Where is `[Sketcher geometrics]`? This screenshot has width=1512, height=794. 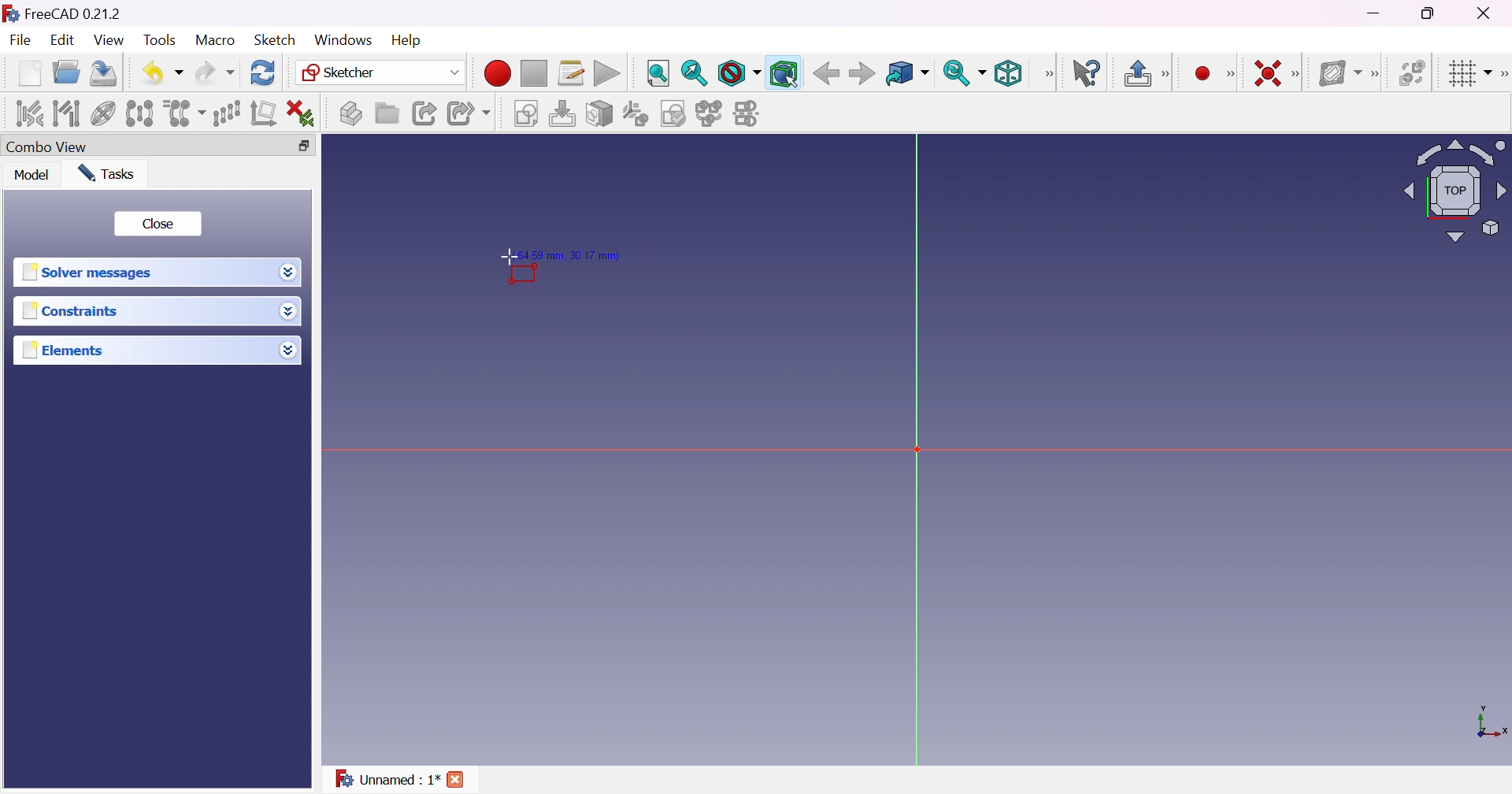
[Sketcher geometrics] is located at coordinates (1231, 72).